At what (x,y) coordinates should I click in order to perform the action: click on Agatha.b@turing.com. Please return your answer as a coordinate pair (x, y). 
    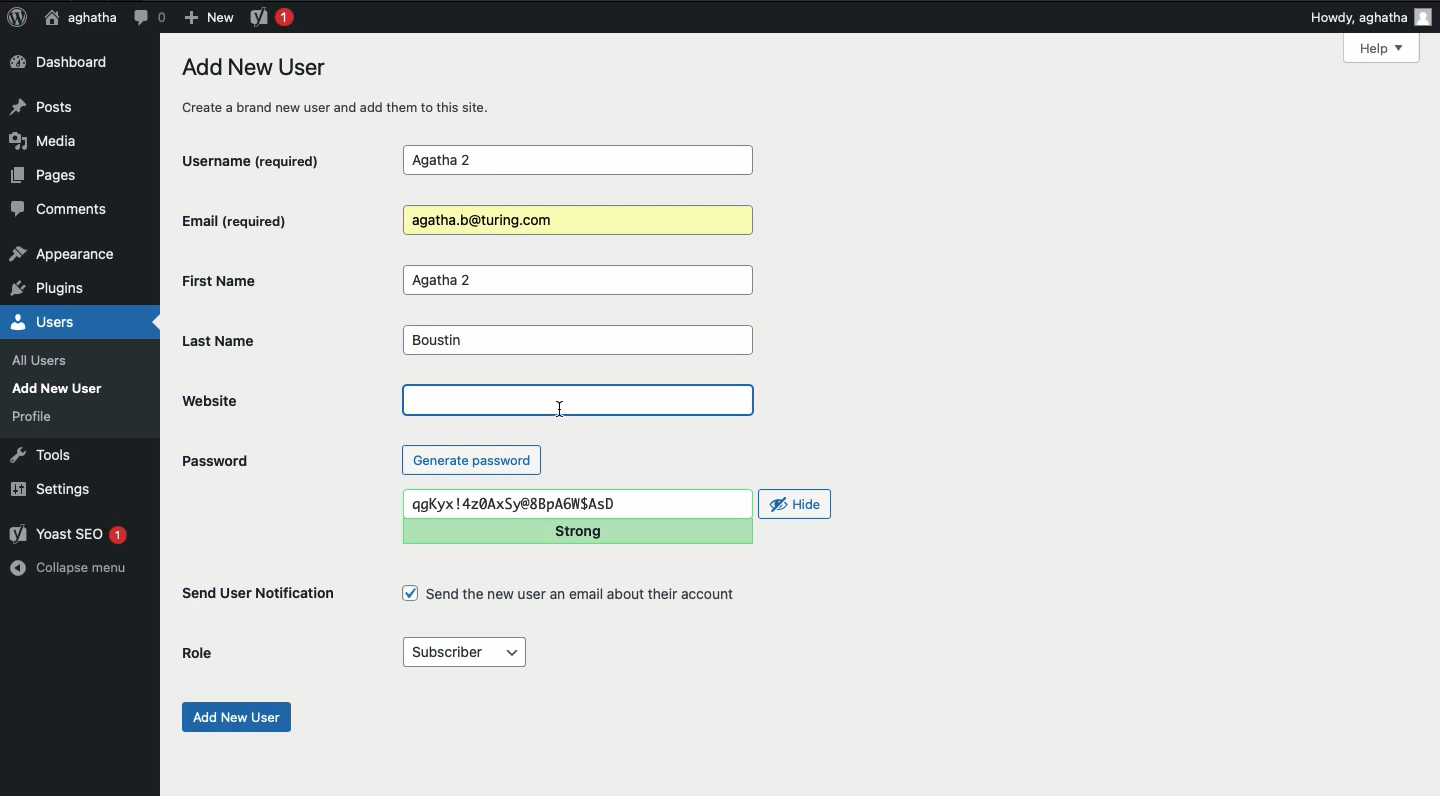
    Looking at the image, I should click on (574, 221).